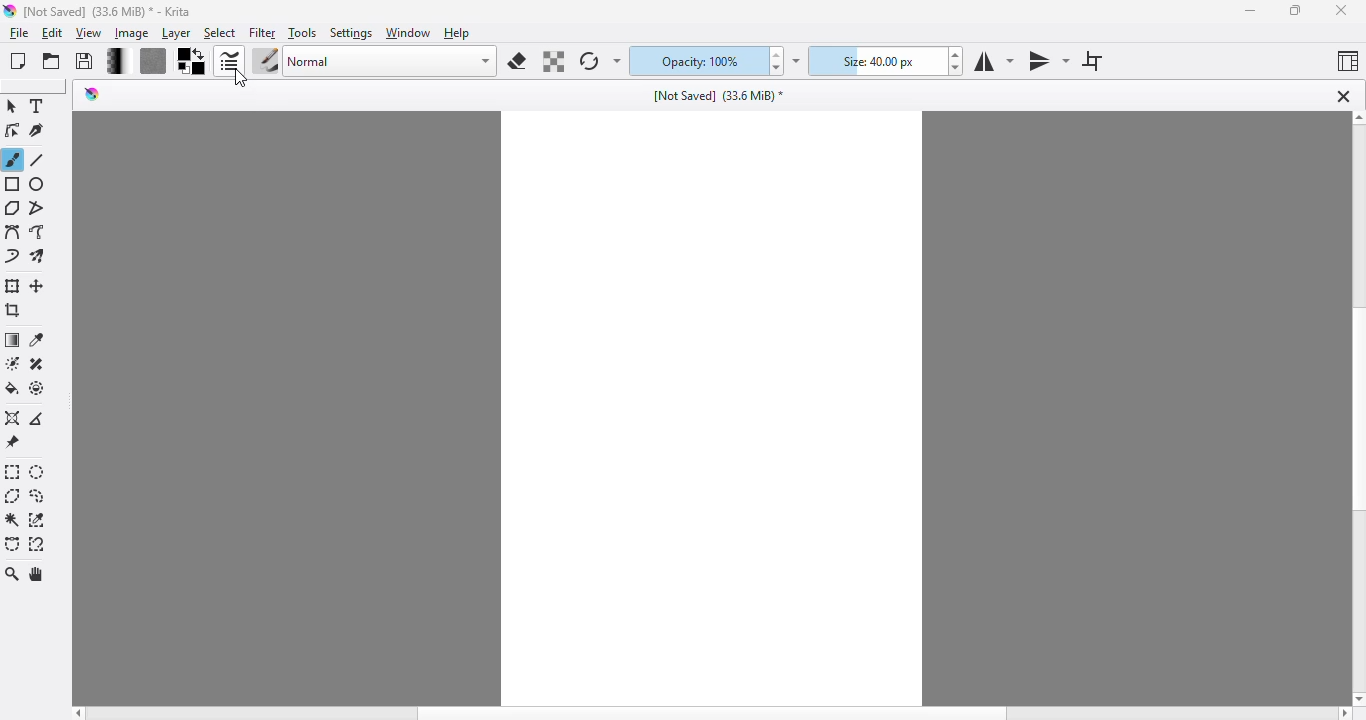 The width and height of the screenshot is (1366, 720). I want to click on view, so click(90, 34).